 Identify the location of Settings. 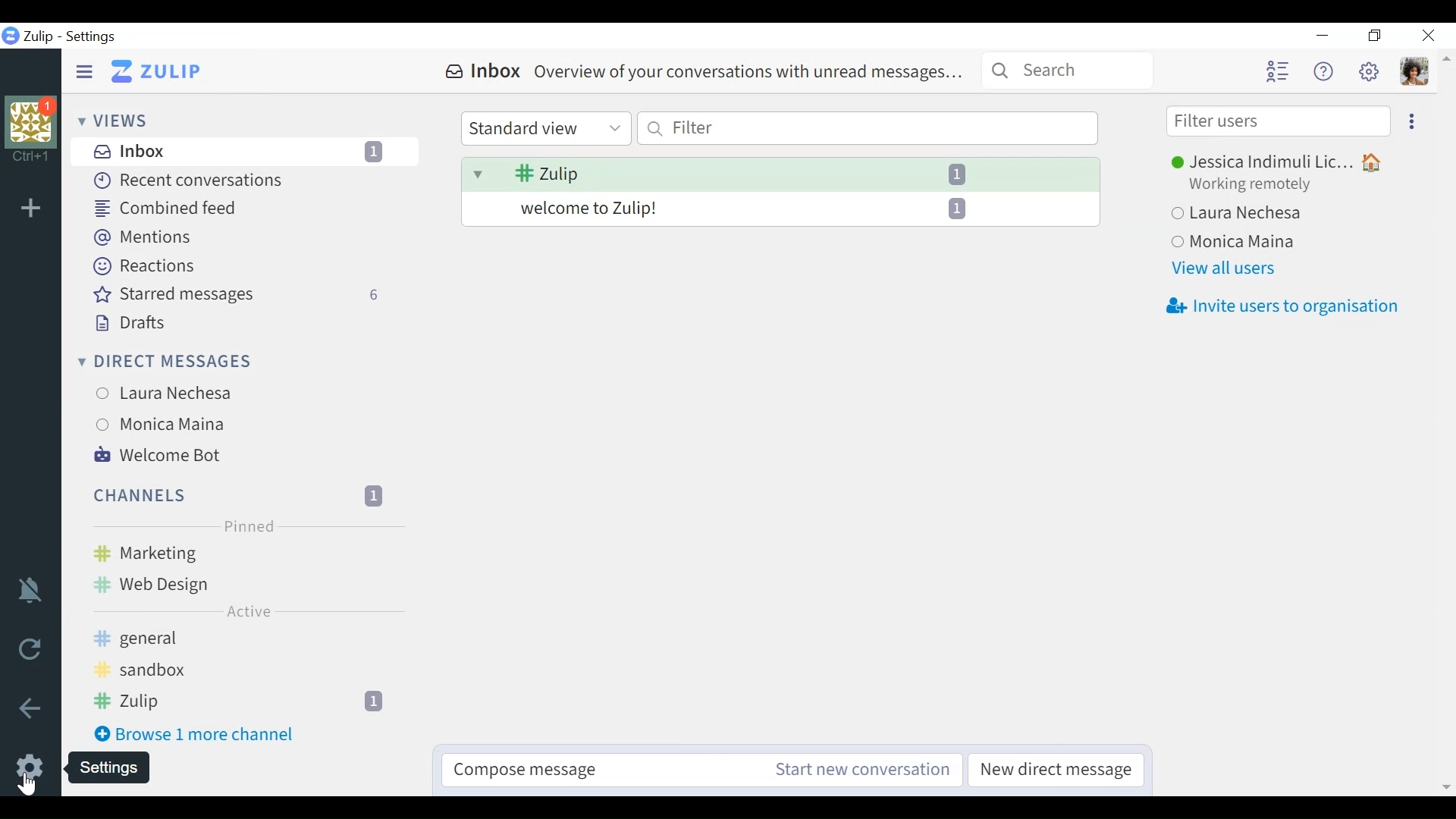
(121, 769).